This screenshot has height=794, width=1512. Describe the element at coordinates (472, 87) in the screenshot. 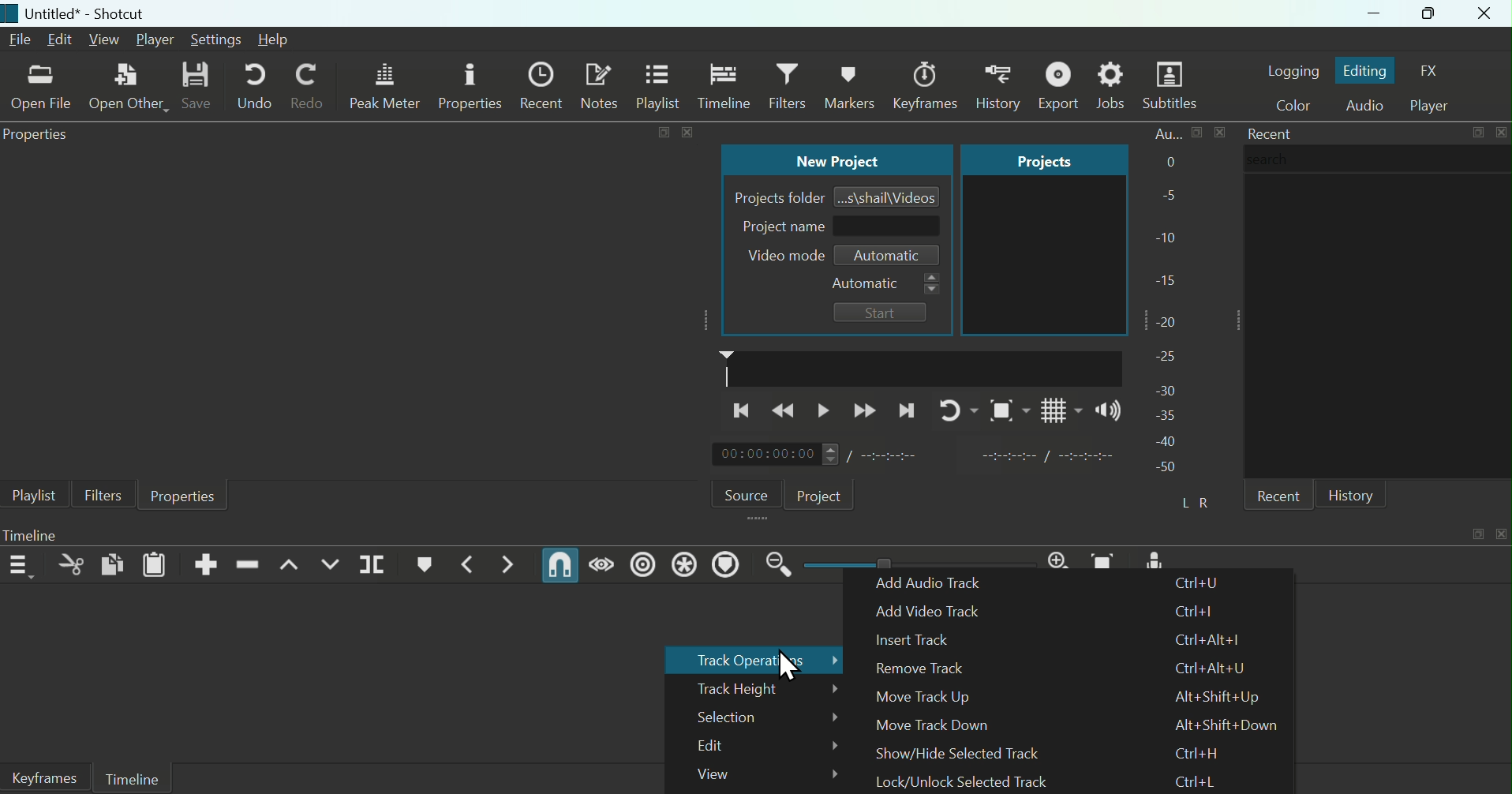

I see `Properties` at that location.